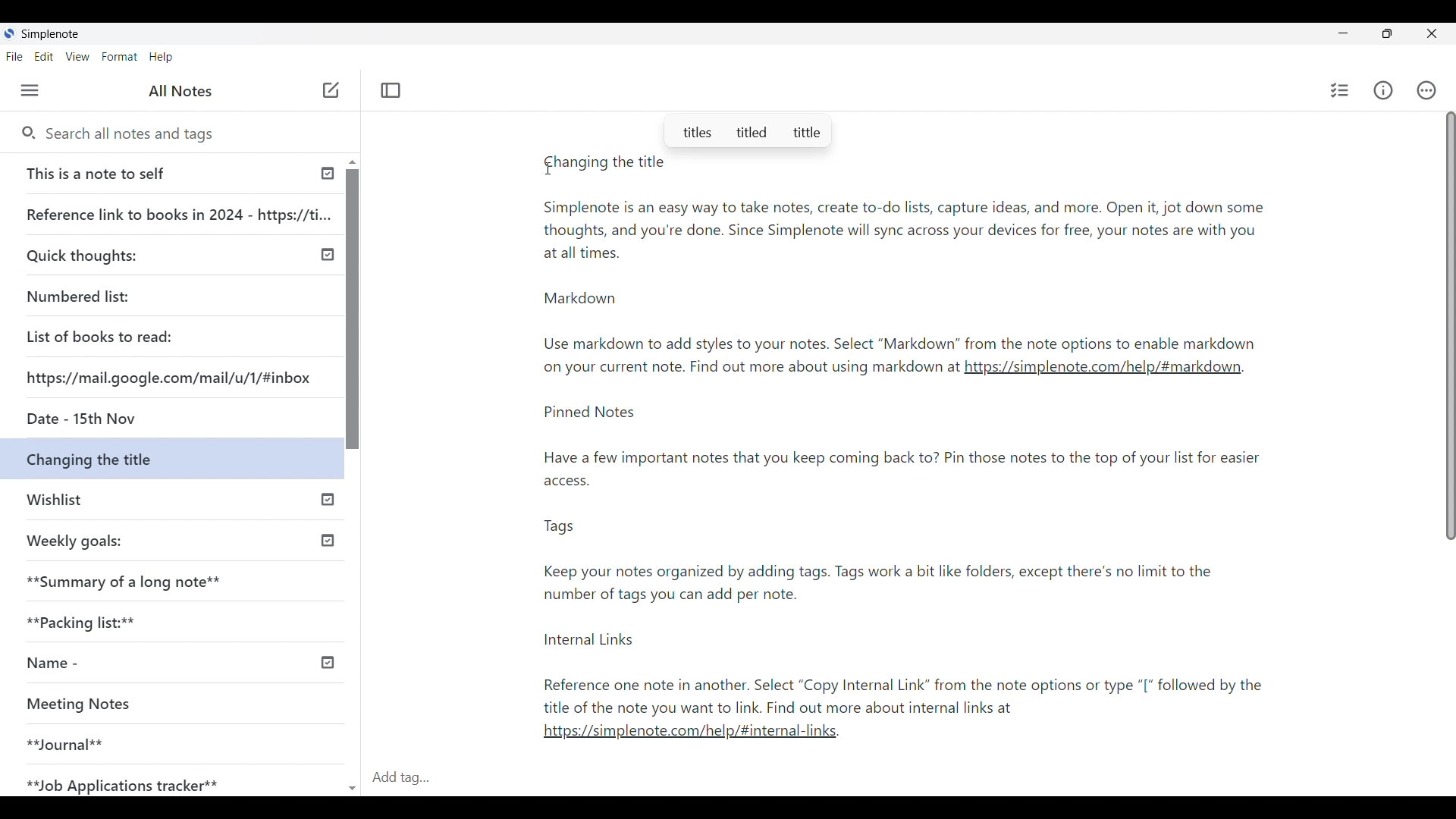  I want to click on Info, so click(1383, 90).